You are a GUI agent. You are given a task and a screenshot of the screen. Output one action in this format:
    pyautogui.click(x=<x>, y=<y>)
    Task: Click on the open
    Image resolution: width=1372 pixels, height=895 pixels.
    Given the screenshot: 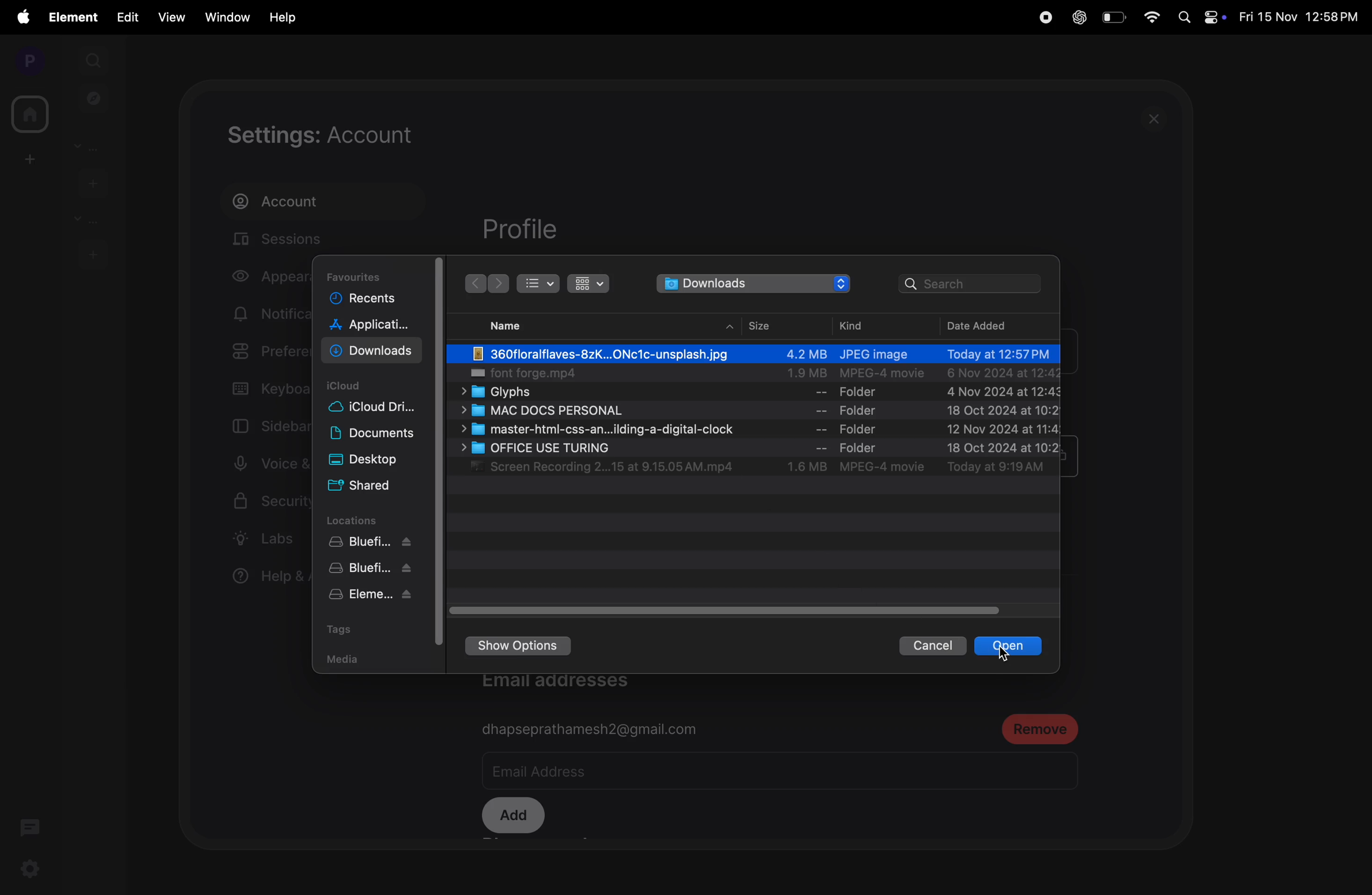 What is the action you would take?
    pyautogui.click(x=1009, y=646)
    